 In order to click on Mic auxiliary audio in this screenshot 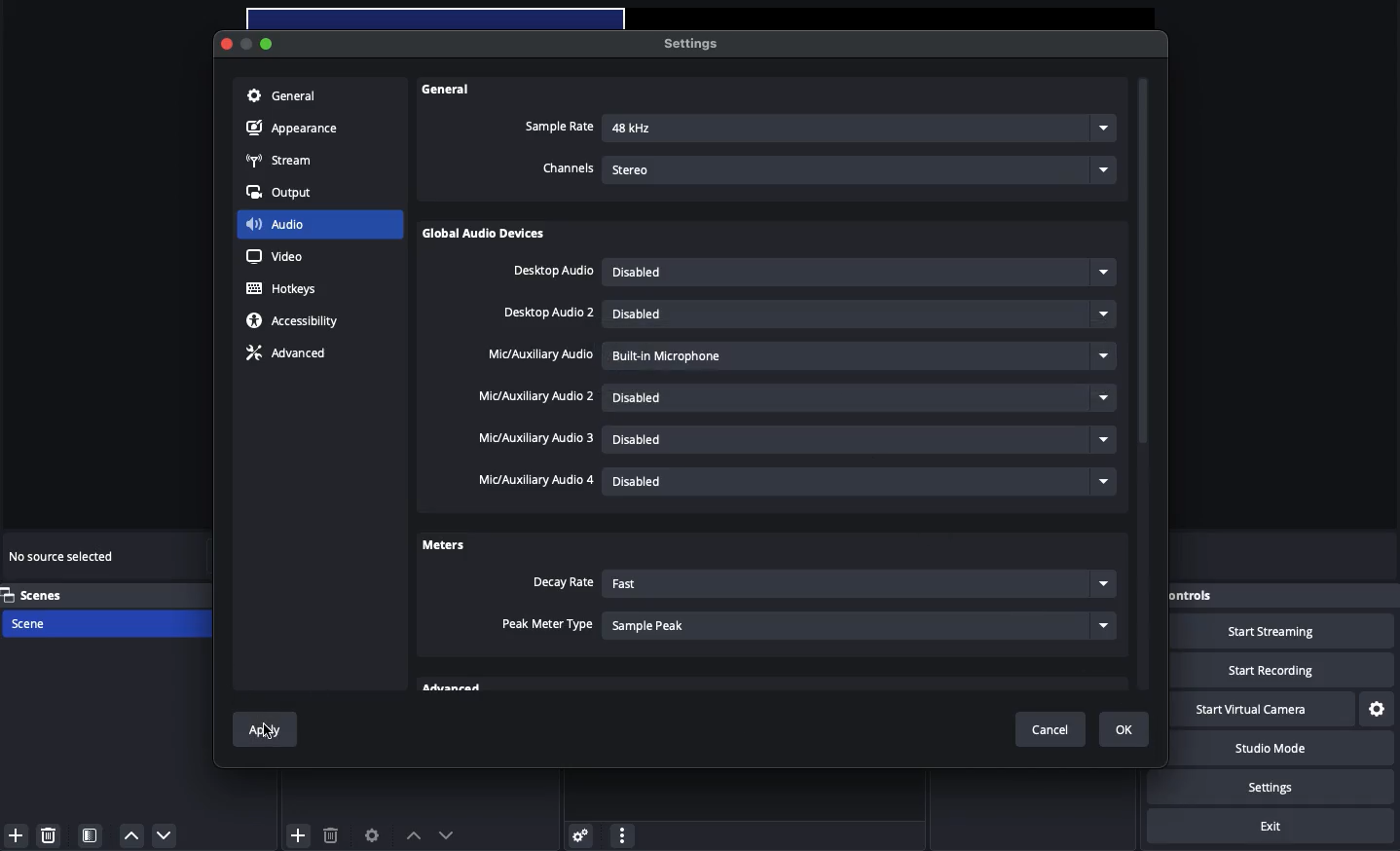, I will do `click(539, 355)`.